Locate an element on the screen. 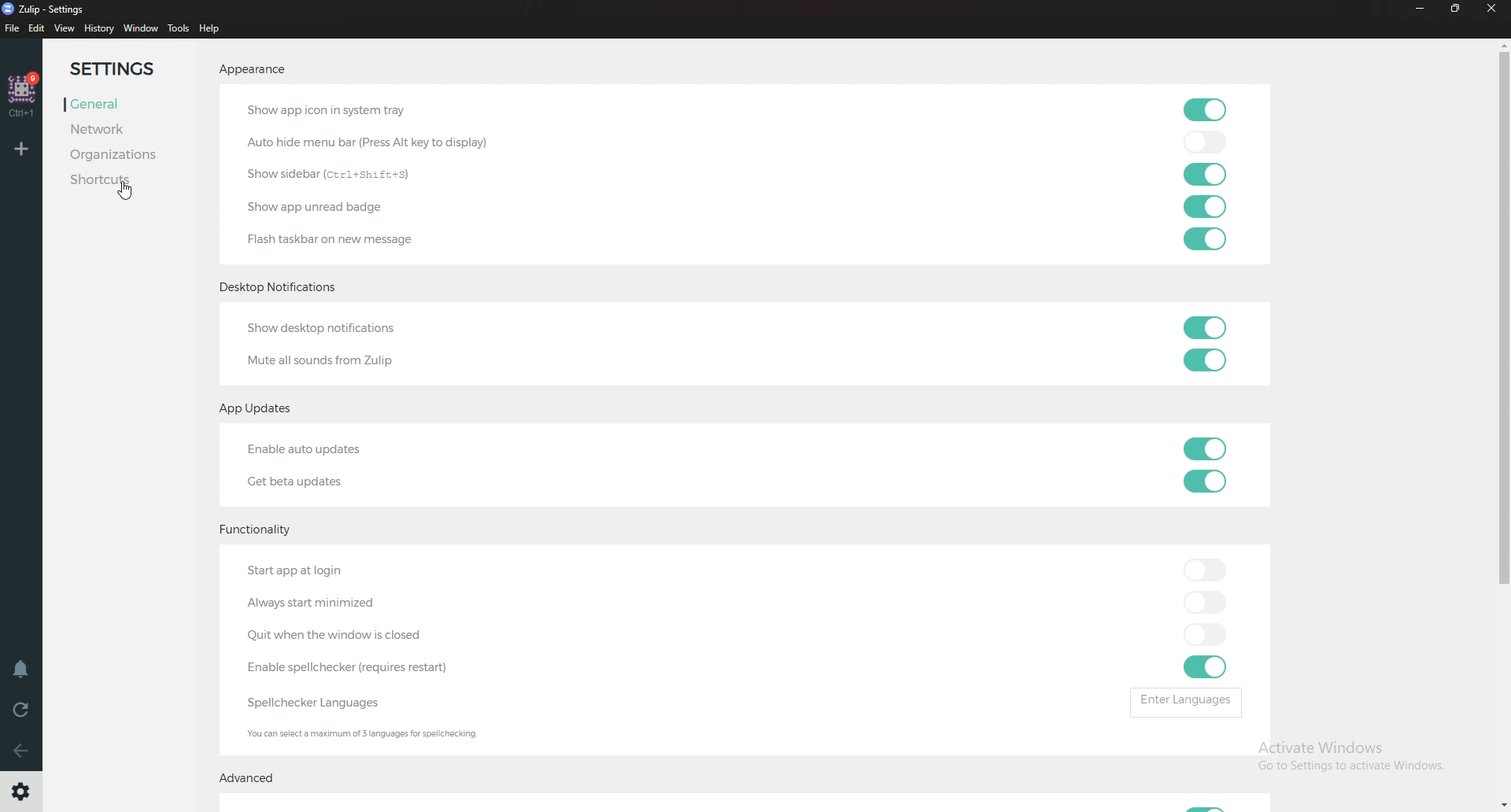  Info is located at coordinates (371, 733).